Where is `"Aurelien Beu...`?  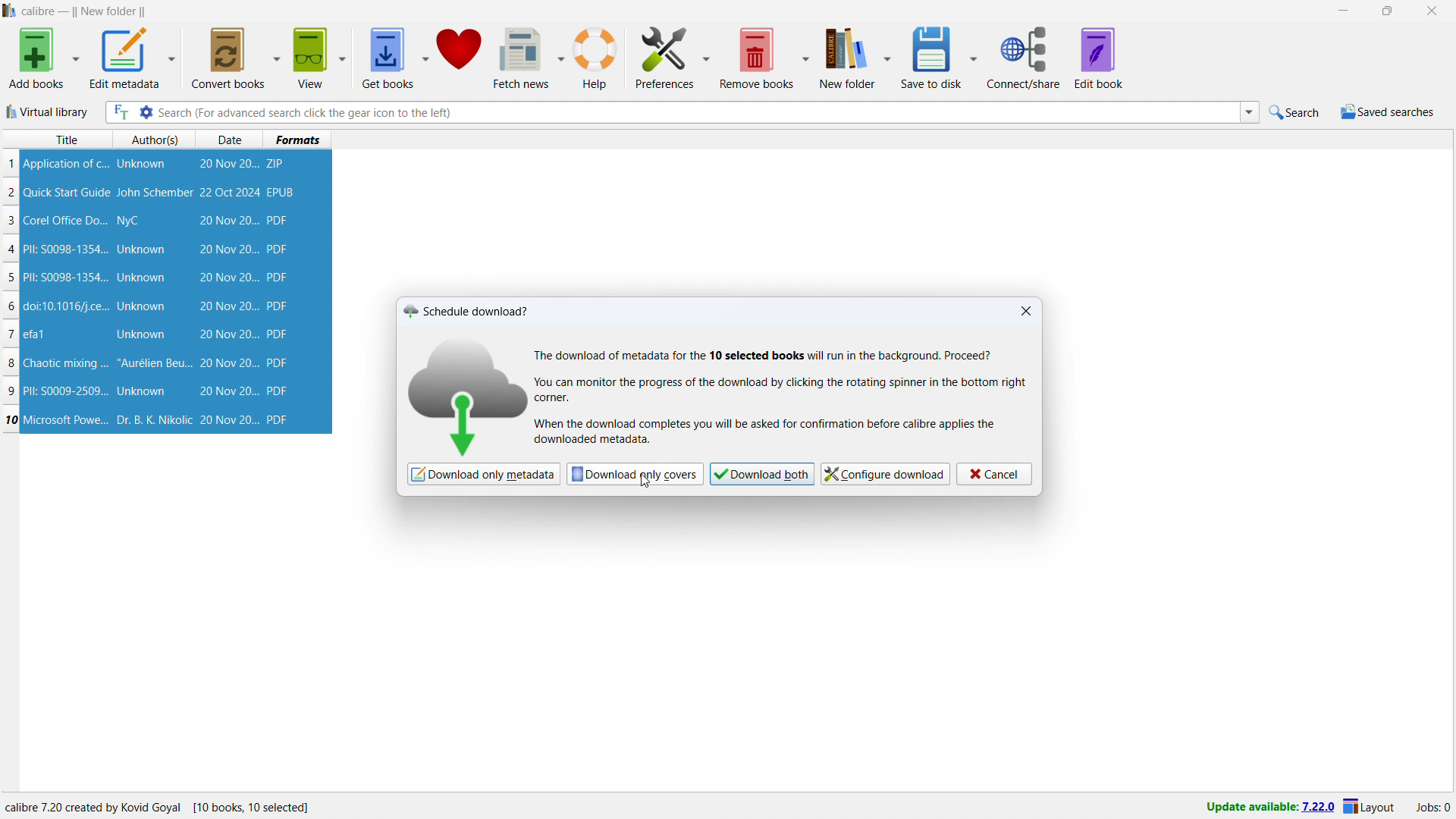 "Aurelien Beu... is located at coordinates (154, 365).